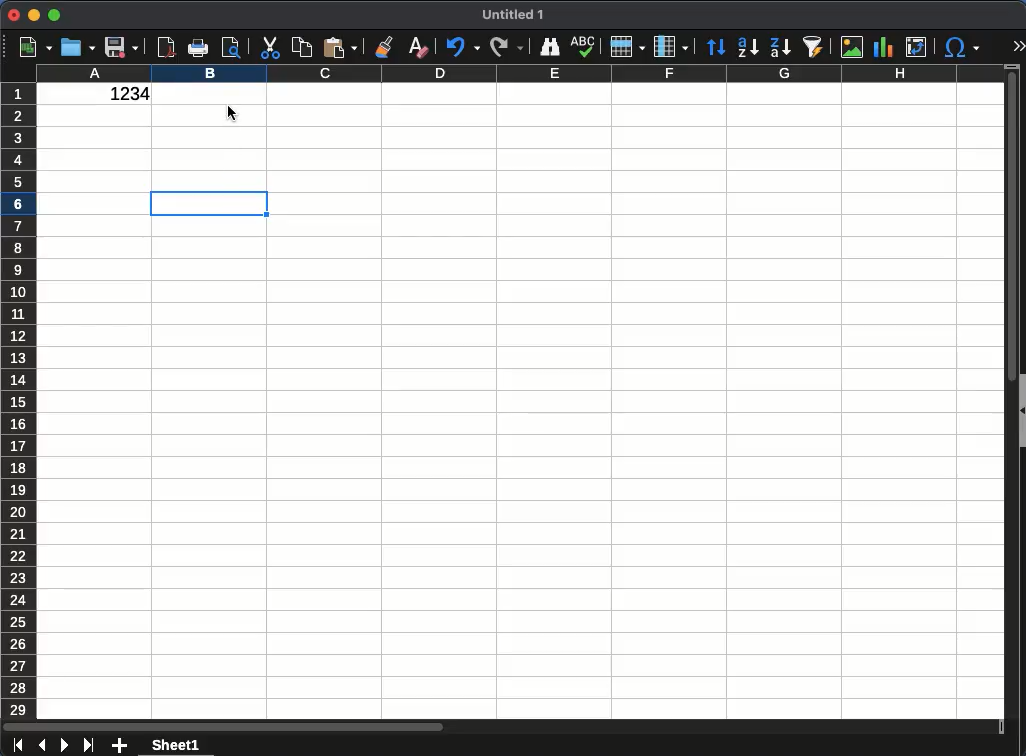 This screenshot has width=1026, height=756. What do you see at coordinates (1017, 47) in the screenshot?
I see `expand` at bounding box center [1017, 47].